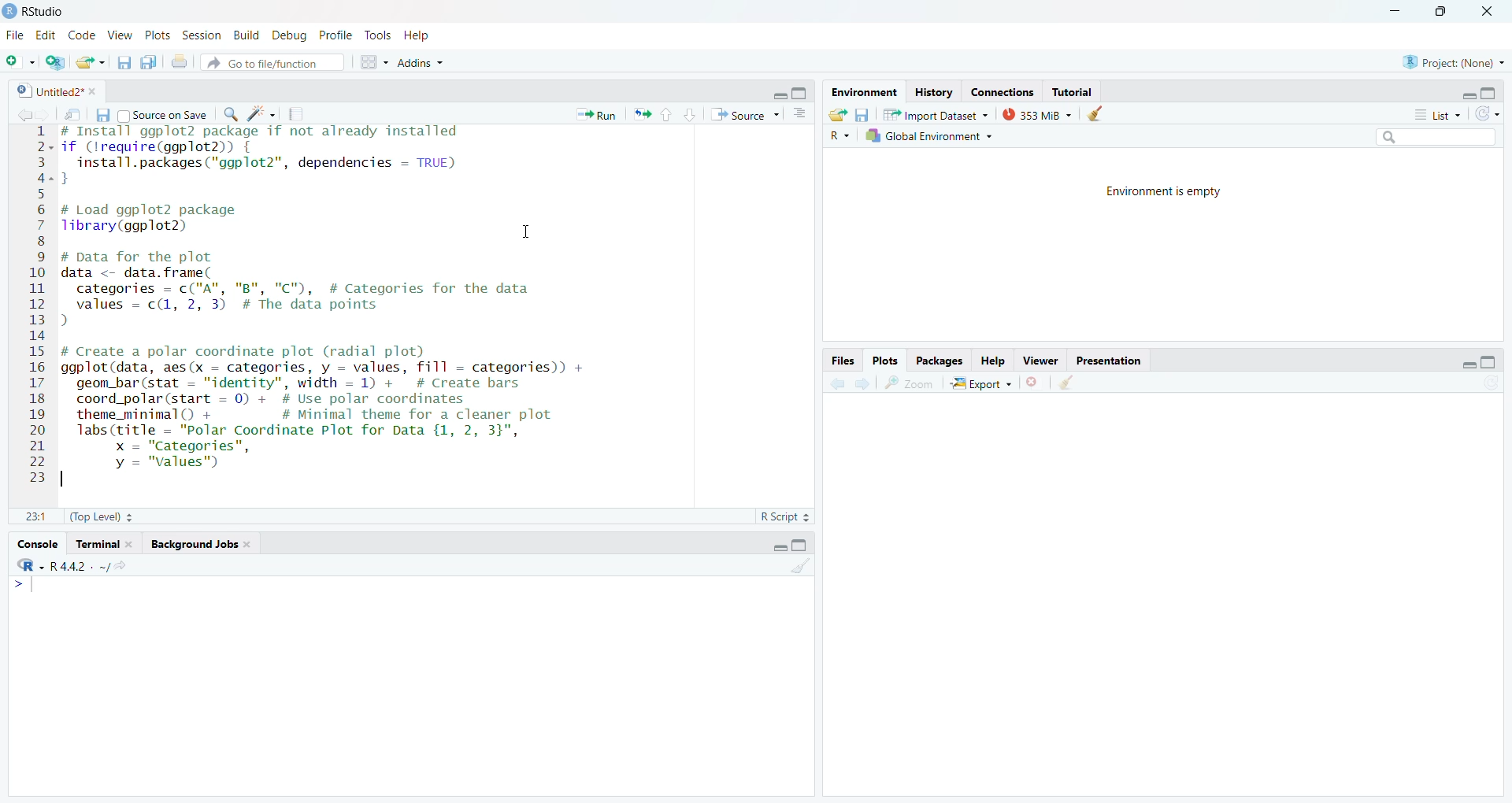 The height and width of the screenshot is (803, 1512). Describe the element at coordinates (641, 115) in the screenshot. I see `re run the previous code` at that location.